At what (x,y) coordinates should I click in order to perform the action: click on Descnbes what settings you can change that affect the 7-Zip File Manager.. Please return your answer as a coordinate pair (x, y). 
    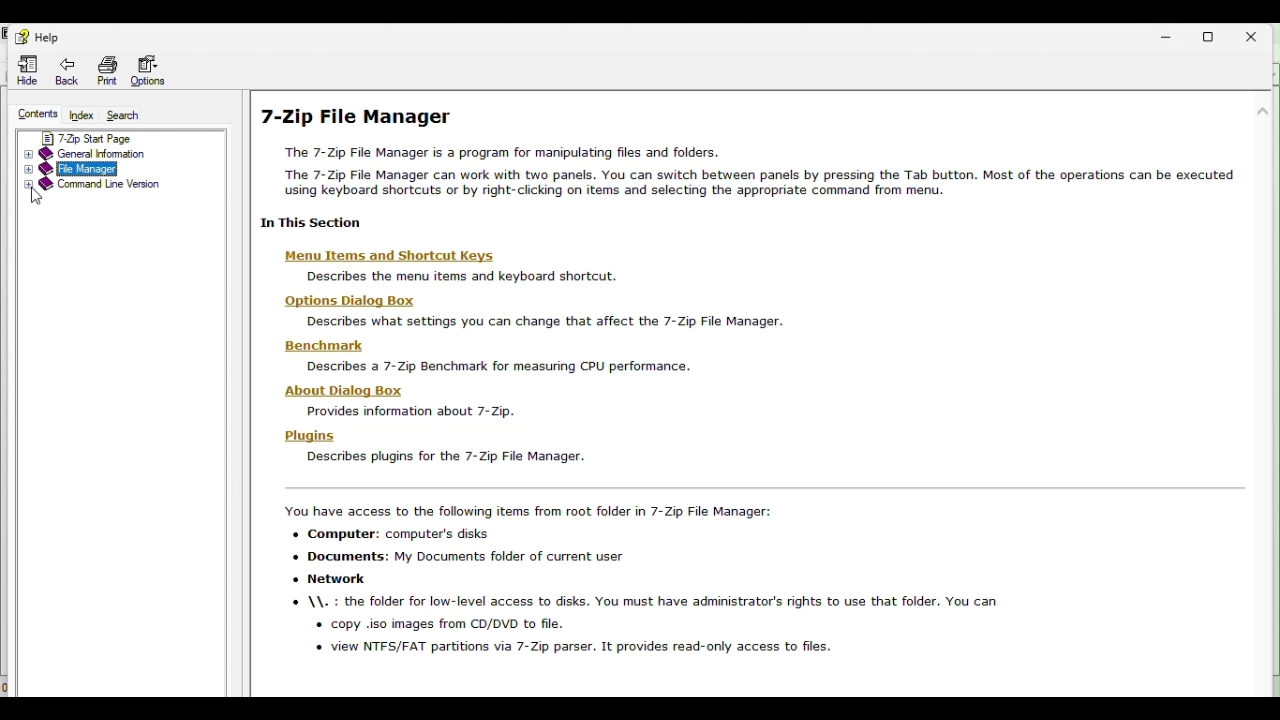
    Looking at the image, I should click on (541, 323).